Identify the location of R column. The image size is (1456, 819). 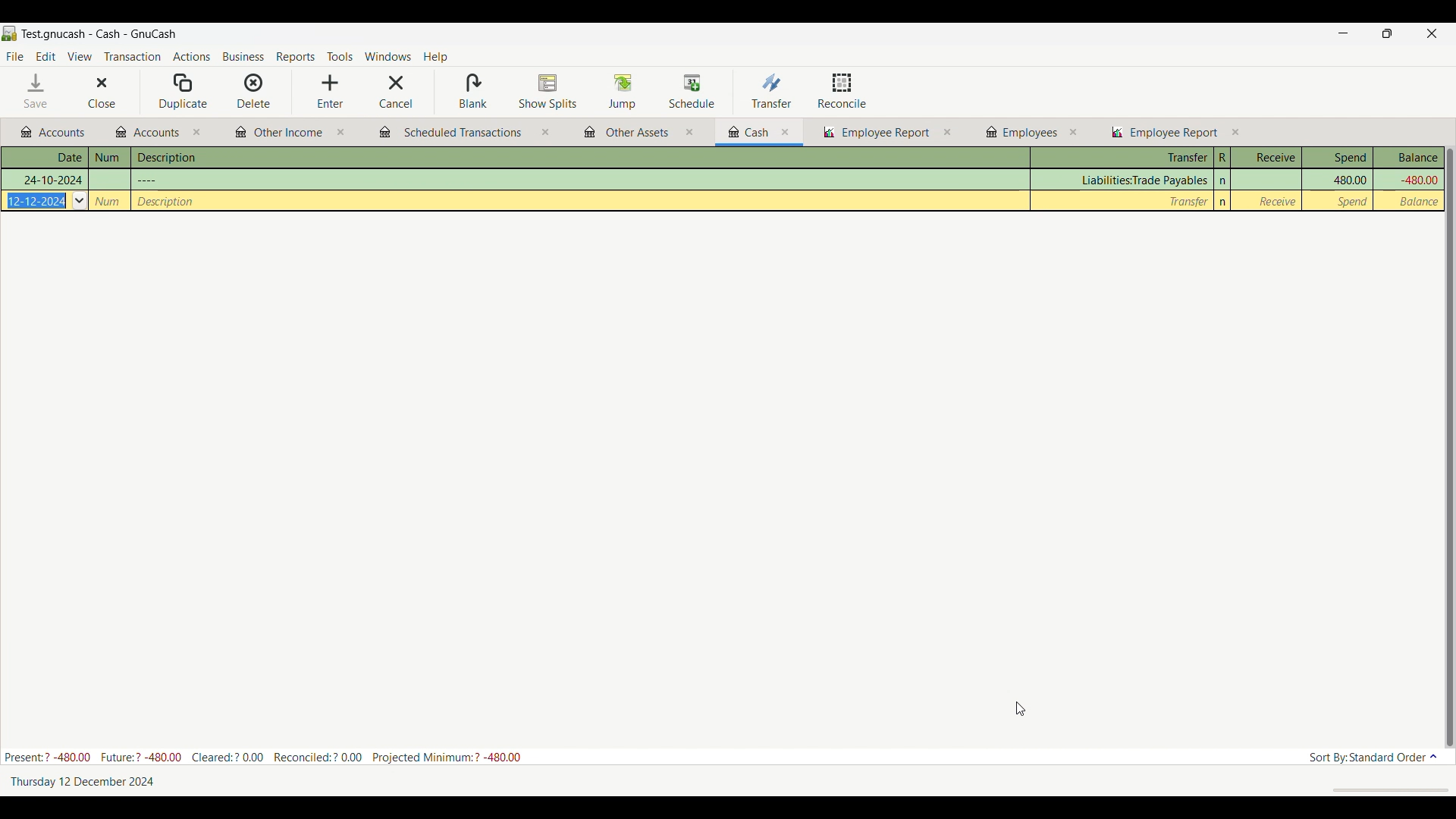
(1222, 158).